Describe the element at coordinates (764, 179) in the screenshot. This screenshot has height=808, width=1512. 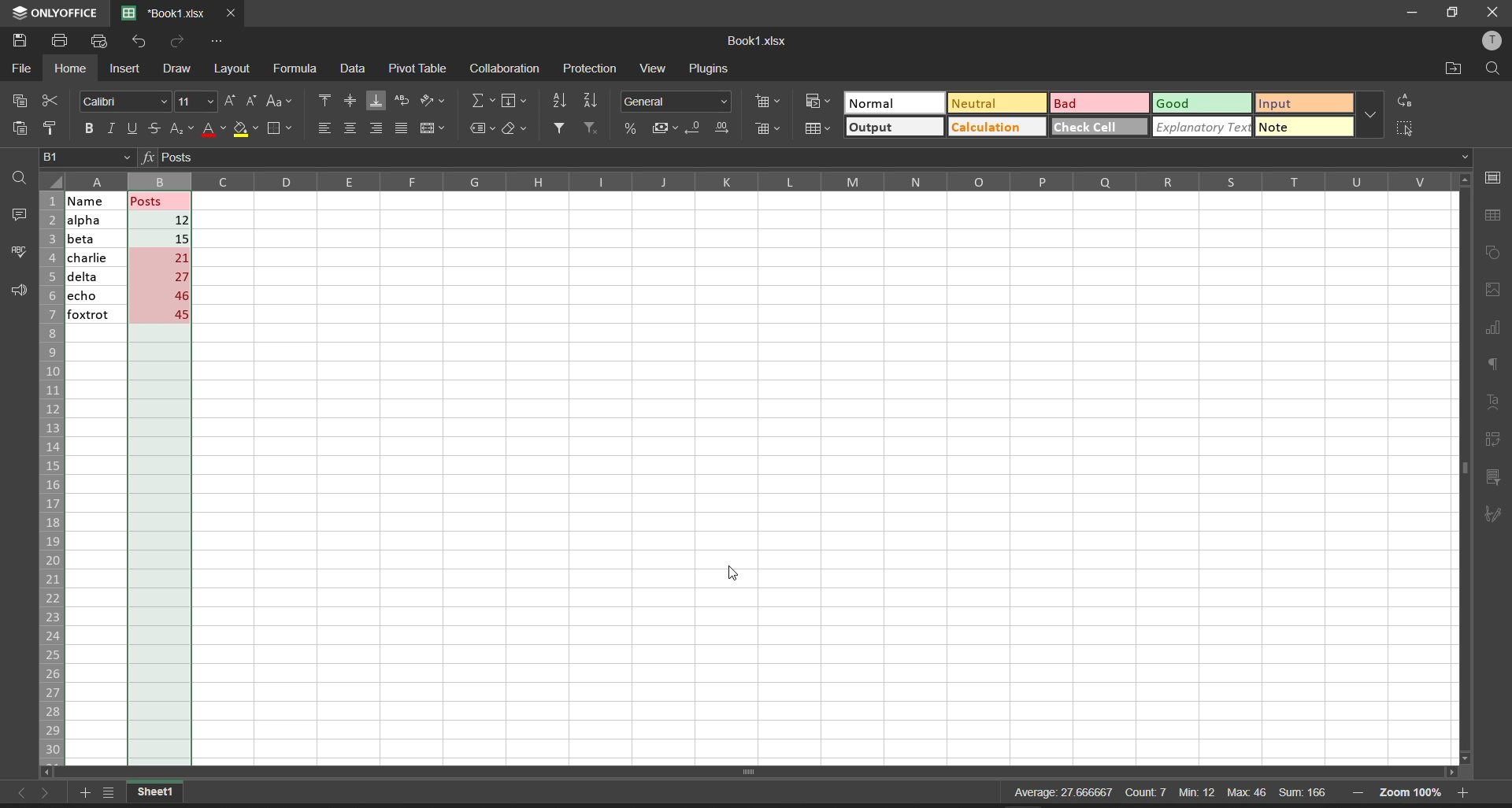
I see `column name` at that location.